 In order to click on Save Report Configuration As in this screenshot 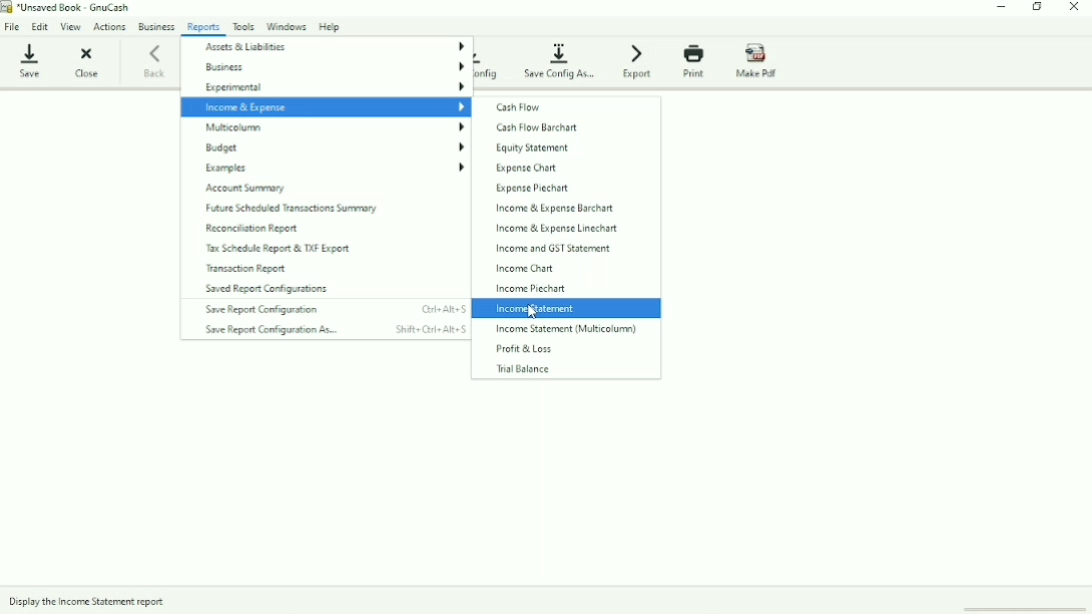, I will do `click(334, 330)`.